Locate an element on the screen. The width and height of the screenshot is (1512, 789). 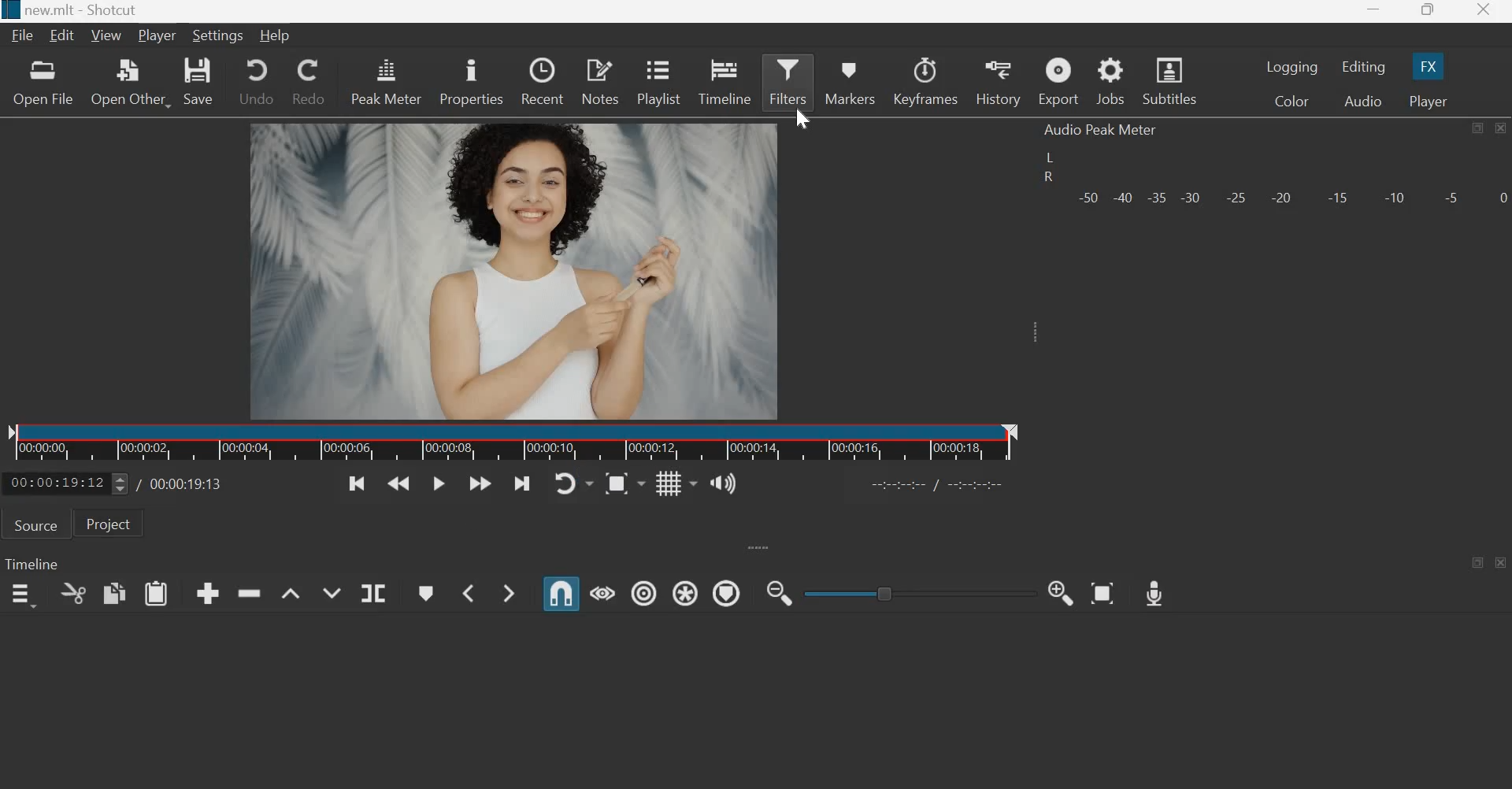
left is located at coordinates (1052, 157).